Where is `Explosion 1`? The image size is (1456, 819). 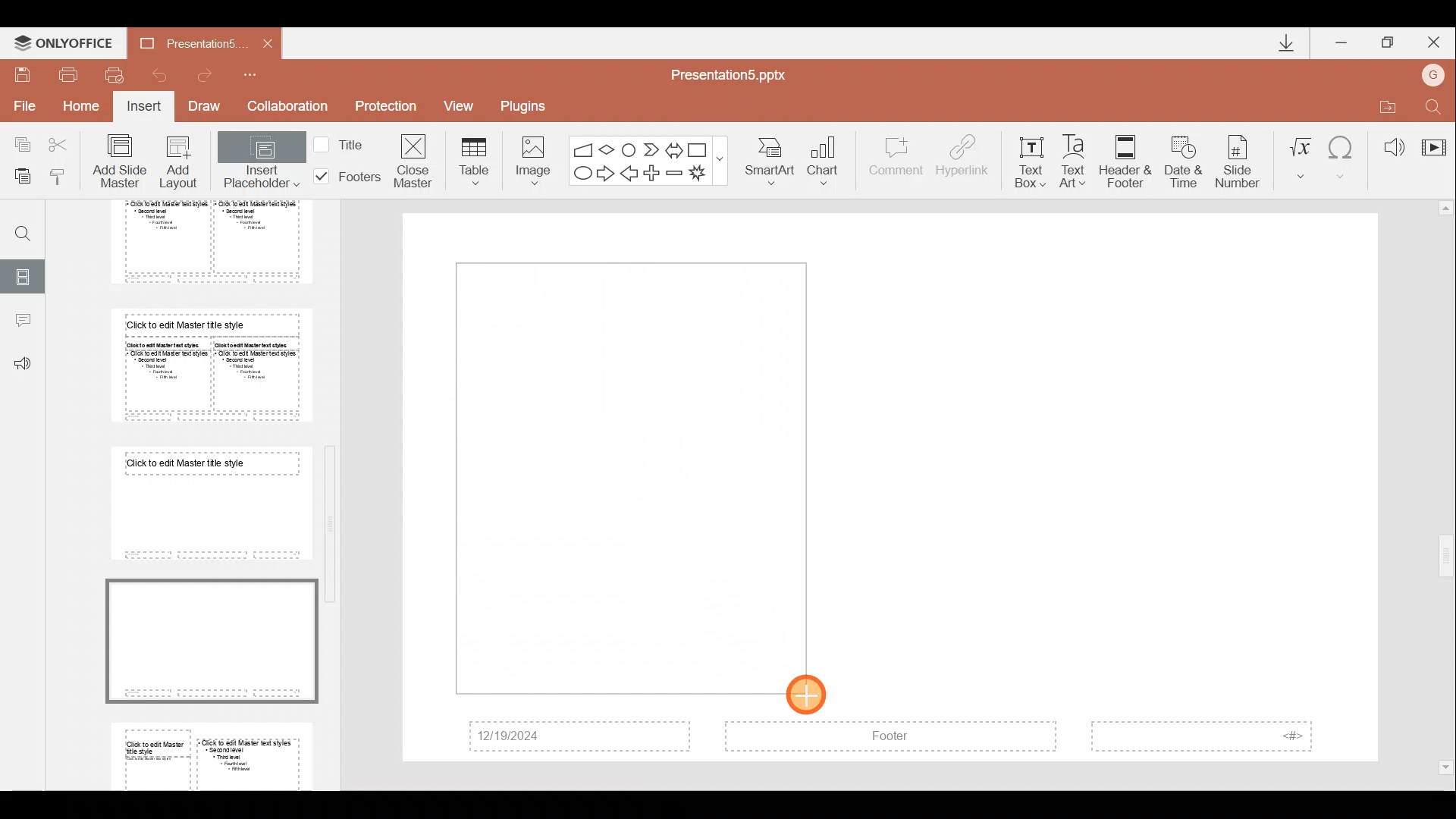
Explosion 1 is located at coordinates (704, 174).